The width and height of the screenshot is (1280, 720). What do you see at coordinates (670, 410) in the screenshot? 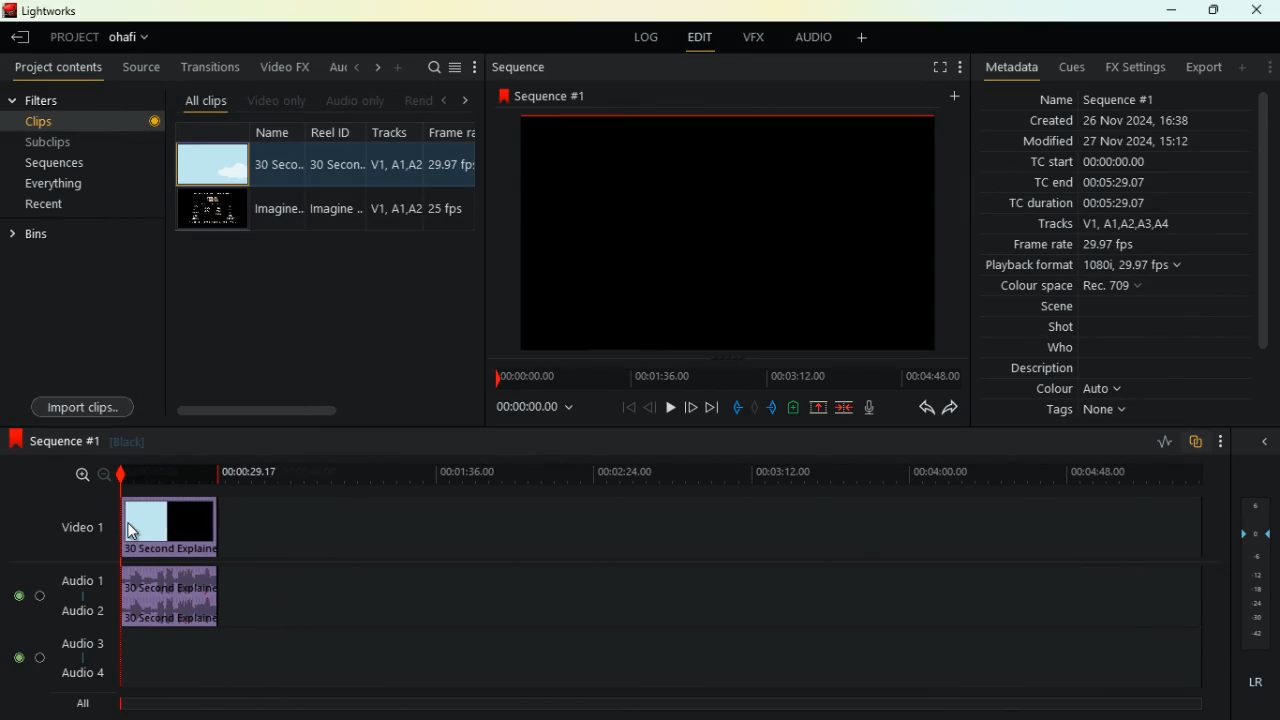
I see `play` at bounding box center [670, 410].